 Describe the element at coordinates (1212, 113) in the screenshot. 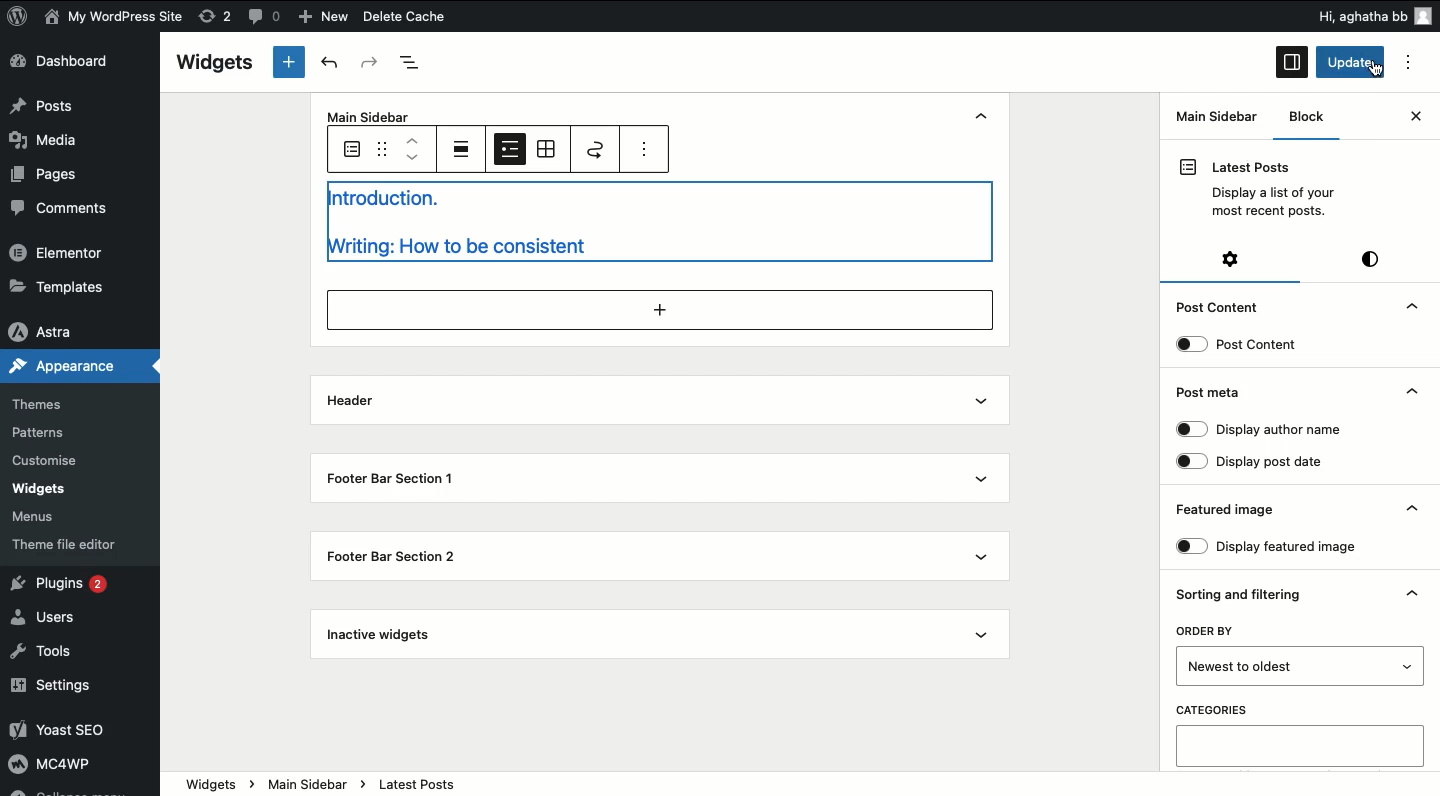

I see `Main Sidebar` at that location.